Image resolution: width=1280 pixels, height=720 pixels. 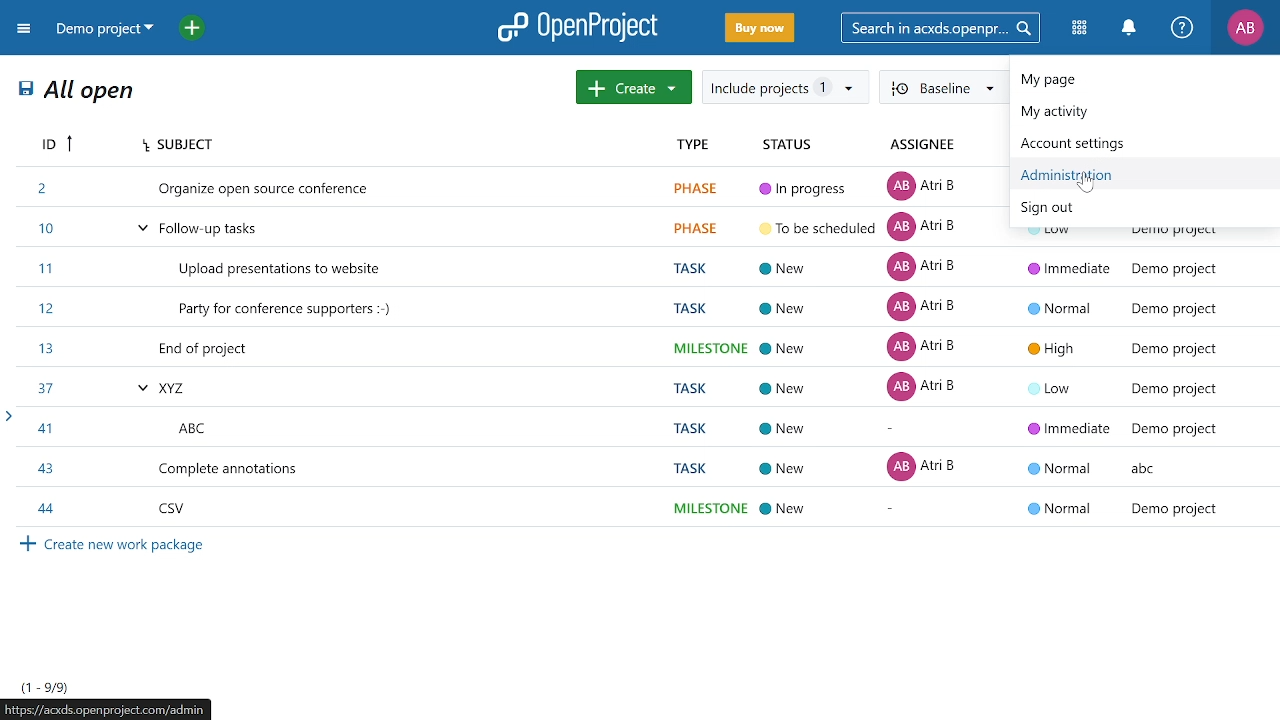 What do you see at coordinates (926, 146) in the screenshot?
I see `assignee` at bounding box center [926, 146].